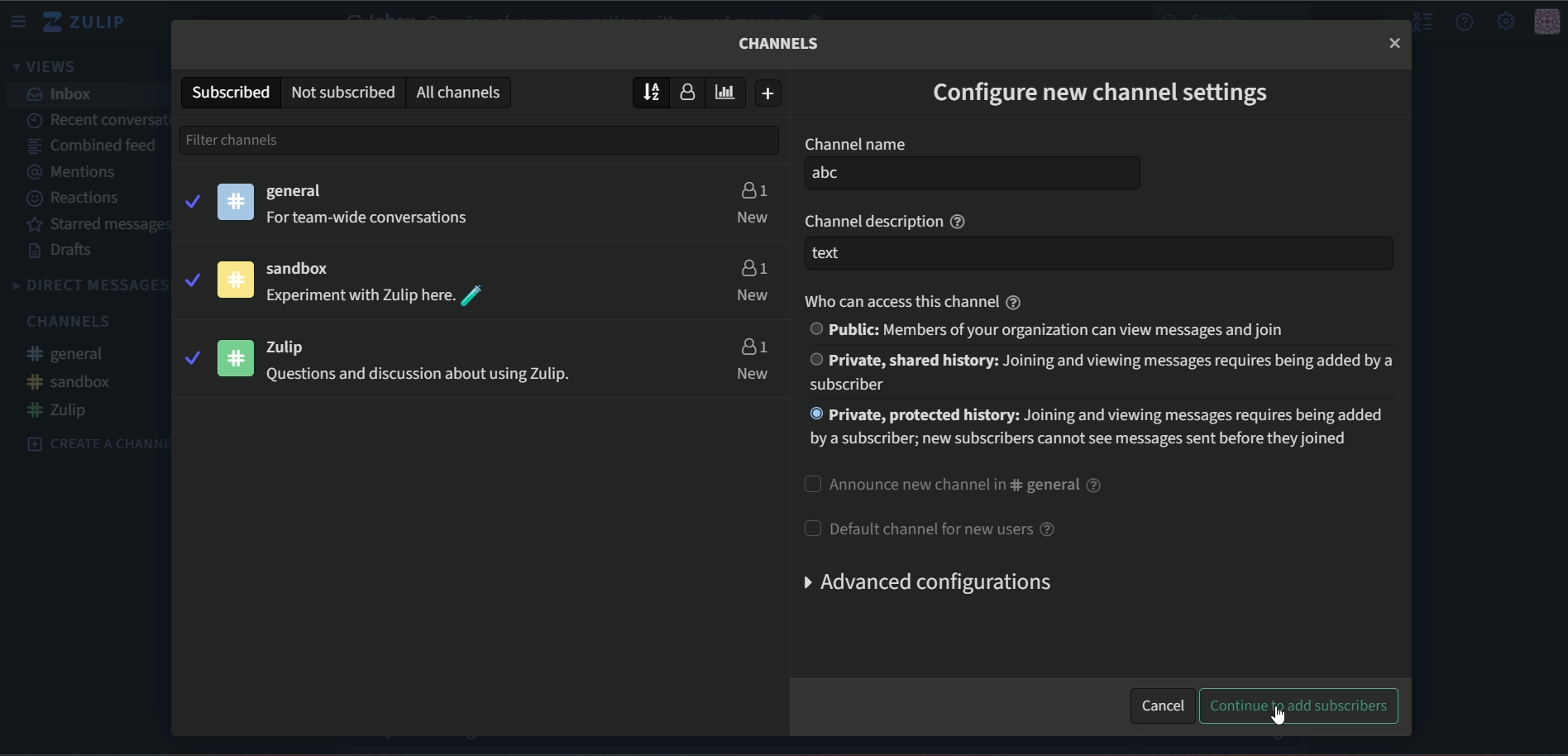 This screenshot has width=1568, height=756. What do you see at coordinates (752, 266) in the screenshot?
I see `users` at bounding box center [752, 266].